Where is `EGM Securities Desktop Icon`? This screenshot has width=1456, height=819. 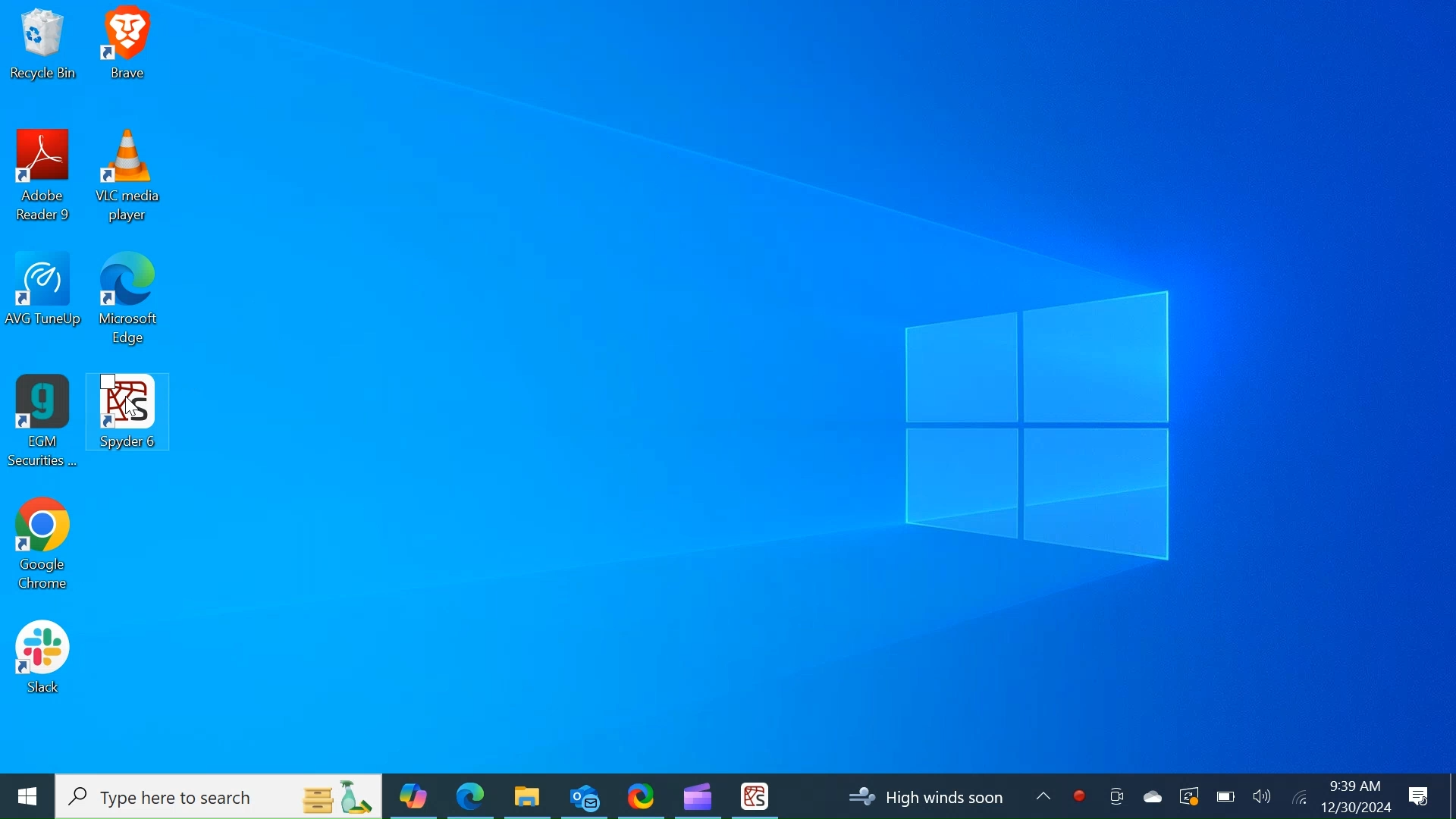 EGM Securities Desktop Icon is located at coordinates (42, 422).